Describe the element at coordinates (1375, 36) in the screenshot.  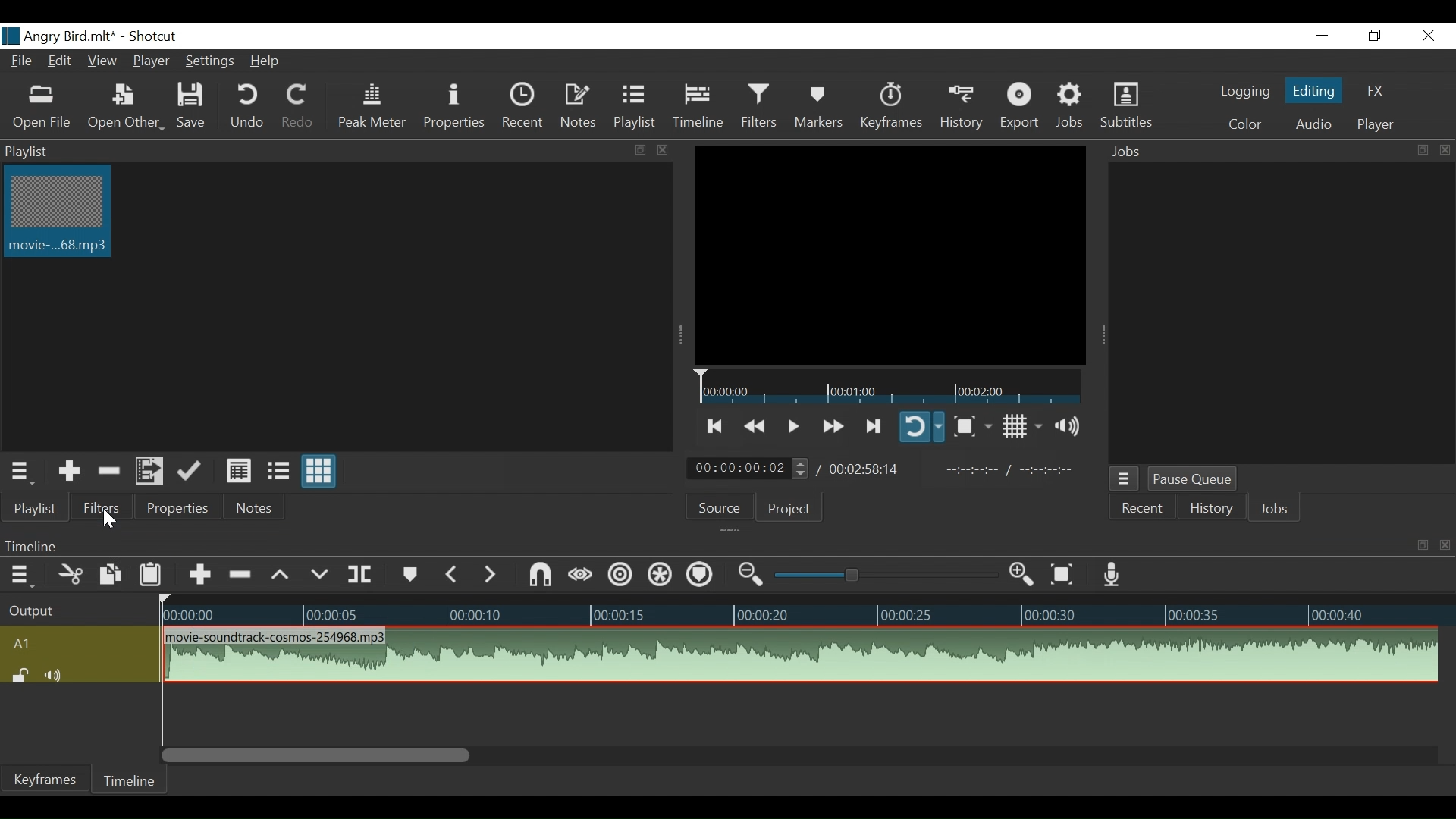
I see `Restore` at that location.